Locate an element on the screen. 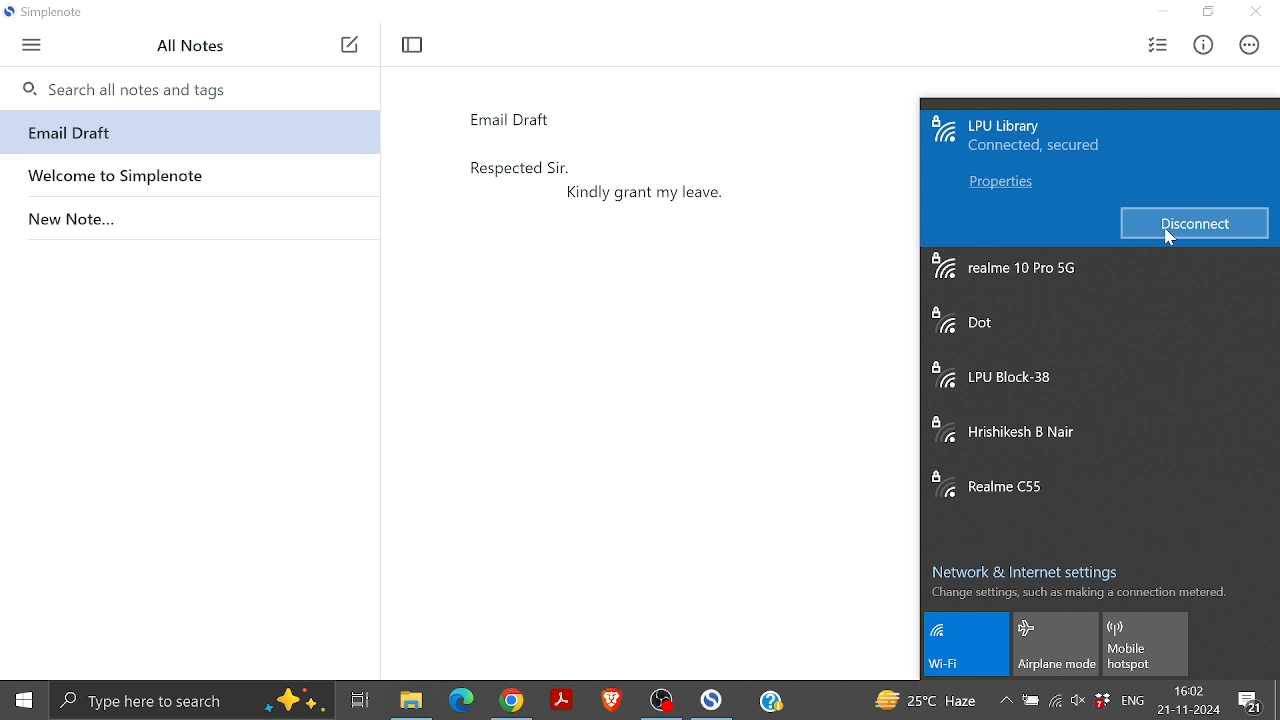 The width and height of the screenshot is (1280, 720). Note tilted "New Note" is located at coordinates (188, 215).